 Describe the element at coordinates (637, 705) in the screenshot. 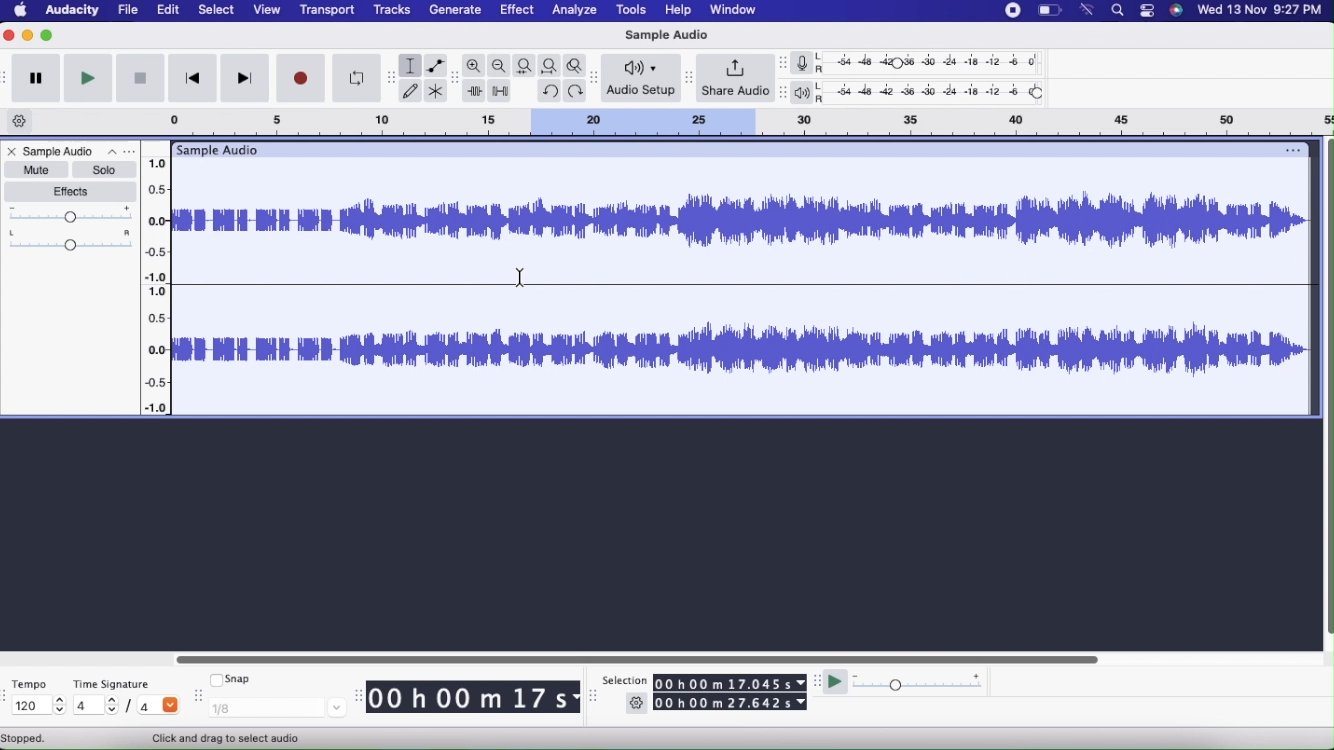

I see `Settings` at that location.